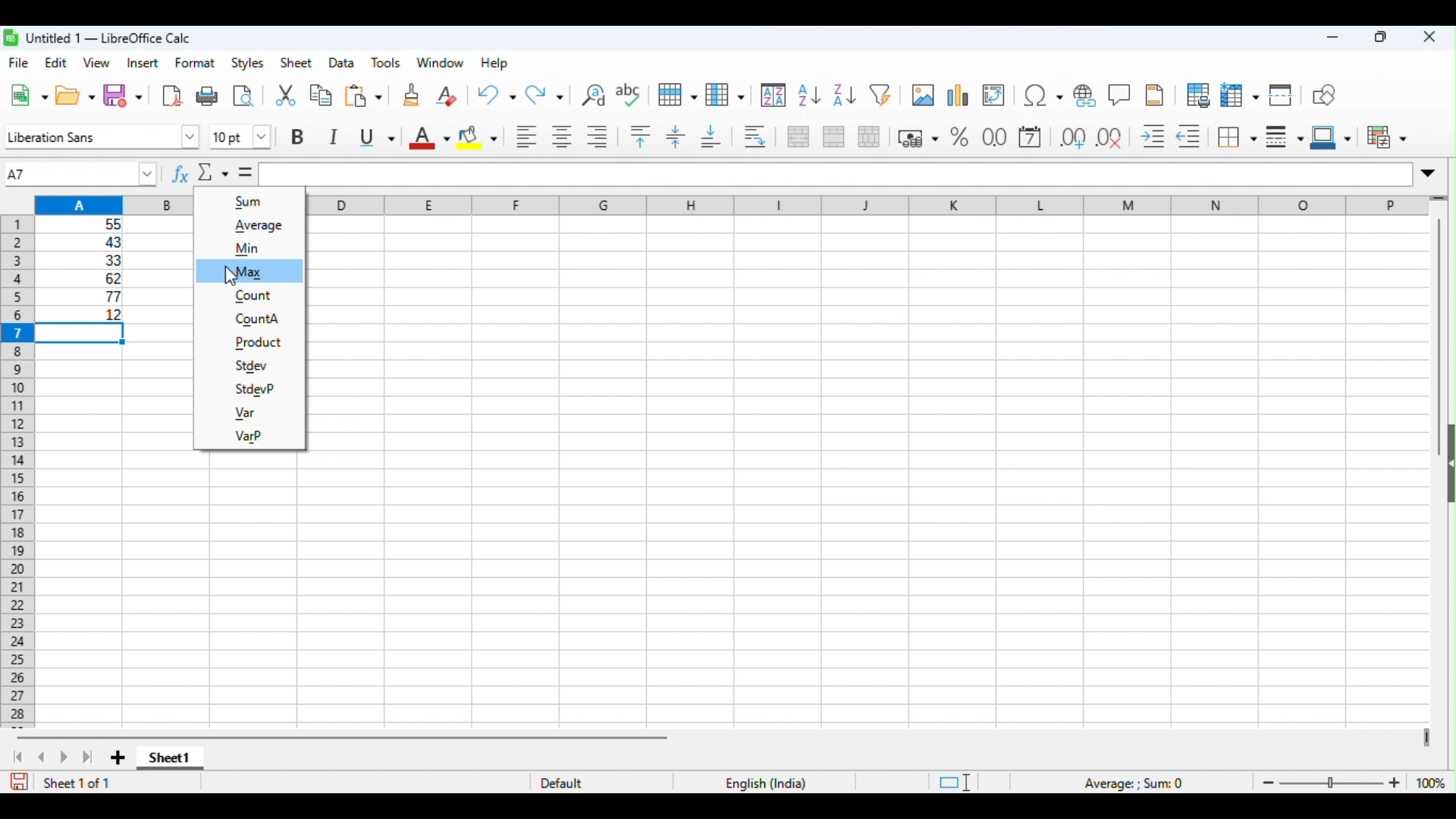 The width and height of the screenshot is (1456, 819). What do you see at coordinates (836, 174) in the screenshot?
I see `formula` at bounding box center [836, 174].